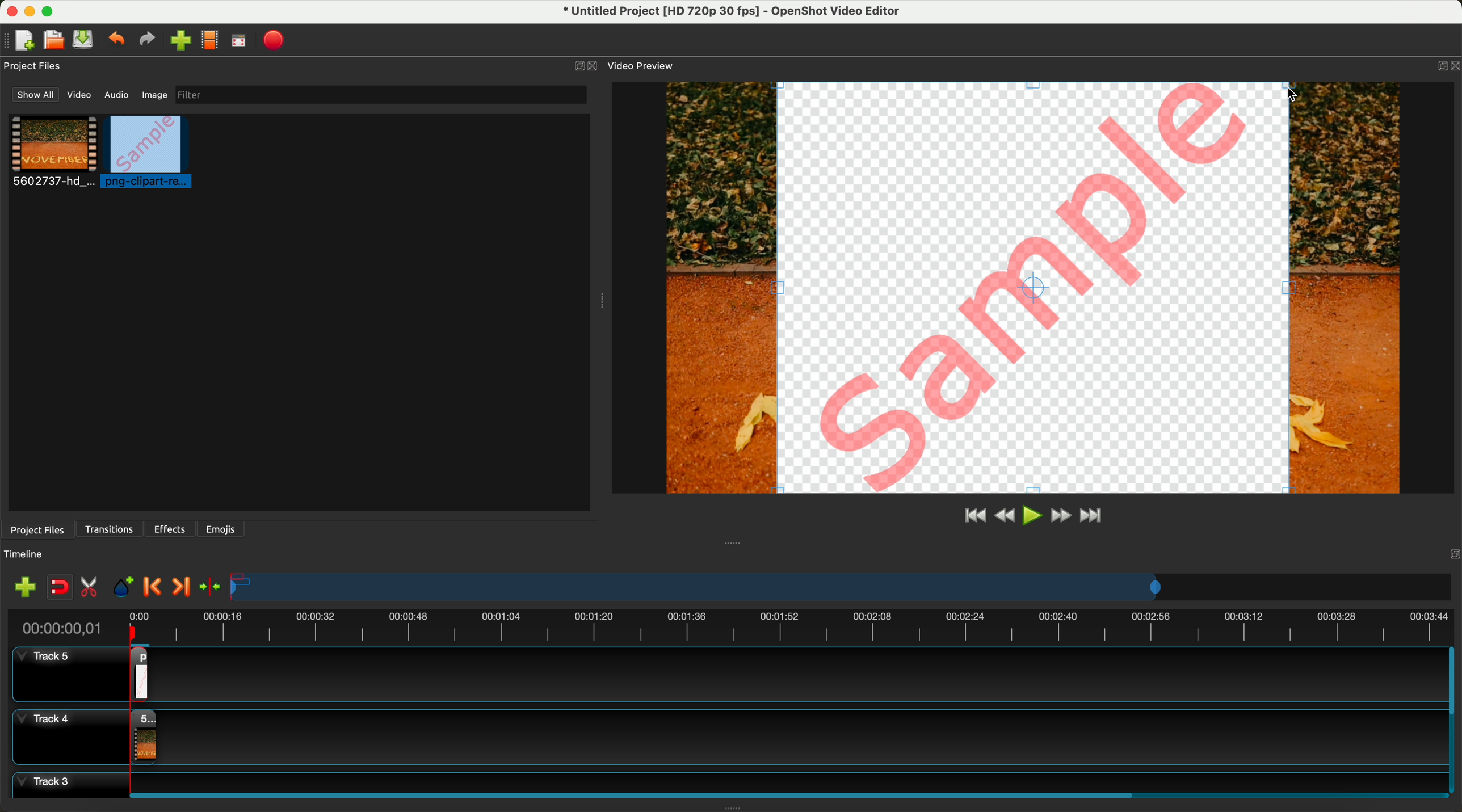 Image resolution: width=1462 pixels, height=812 pixels. What do you see at coordinates (586, 66) in the screenshot?
I see `close` at bounding box center [586, 66].